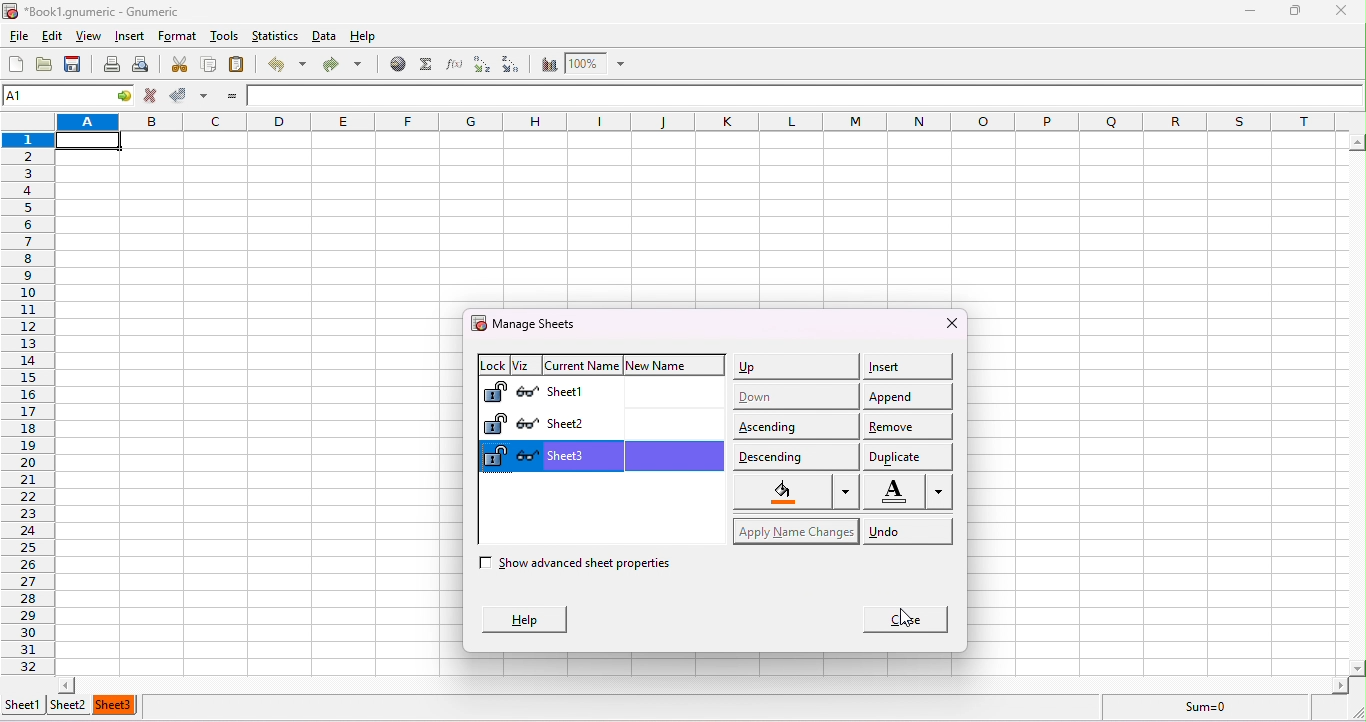  What do you see at coordinates (580, 364) in the screenshot?
I see `current name` at bounding box center [580, 364].